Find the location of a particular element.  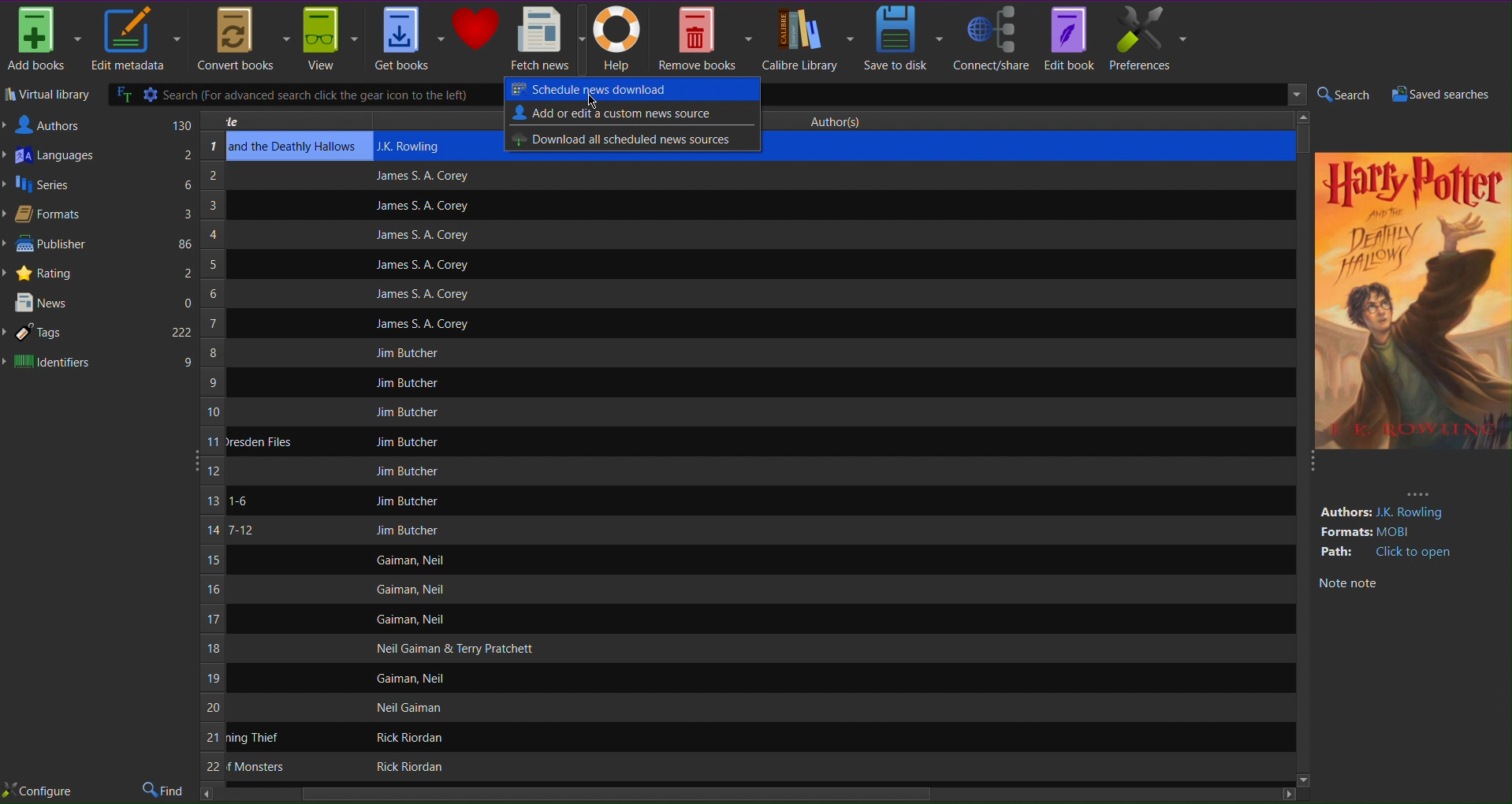

Neil Gaiman is located at coordinates (412, 708).